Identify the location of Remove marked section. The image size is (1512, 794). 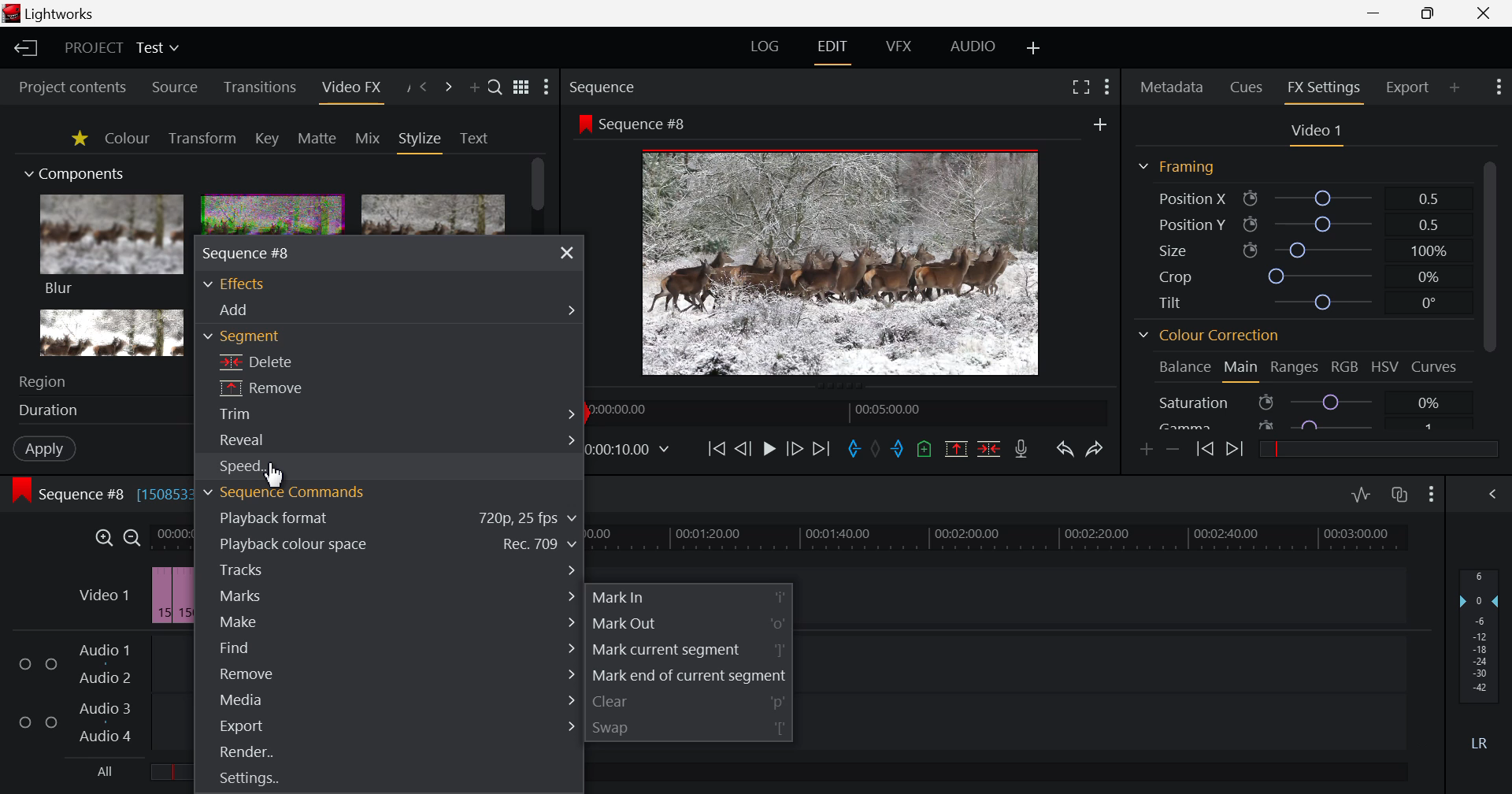
(958, 451).